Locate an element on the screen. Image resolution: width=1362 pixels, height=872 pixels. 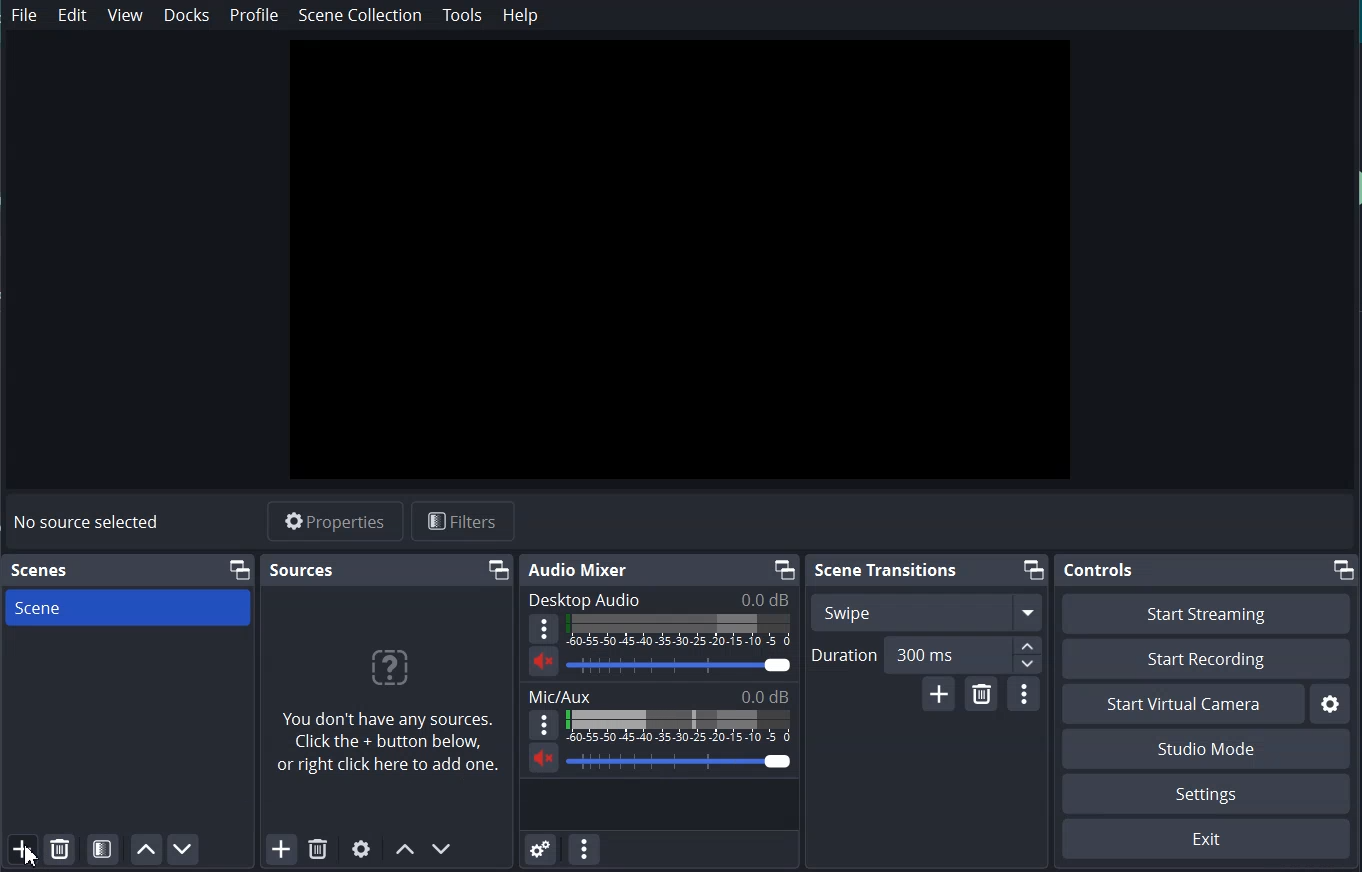
Source is located at coordinates (302, 569).